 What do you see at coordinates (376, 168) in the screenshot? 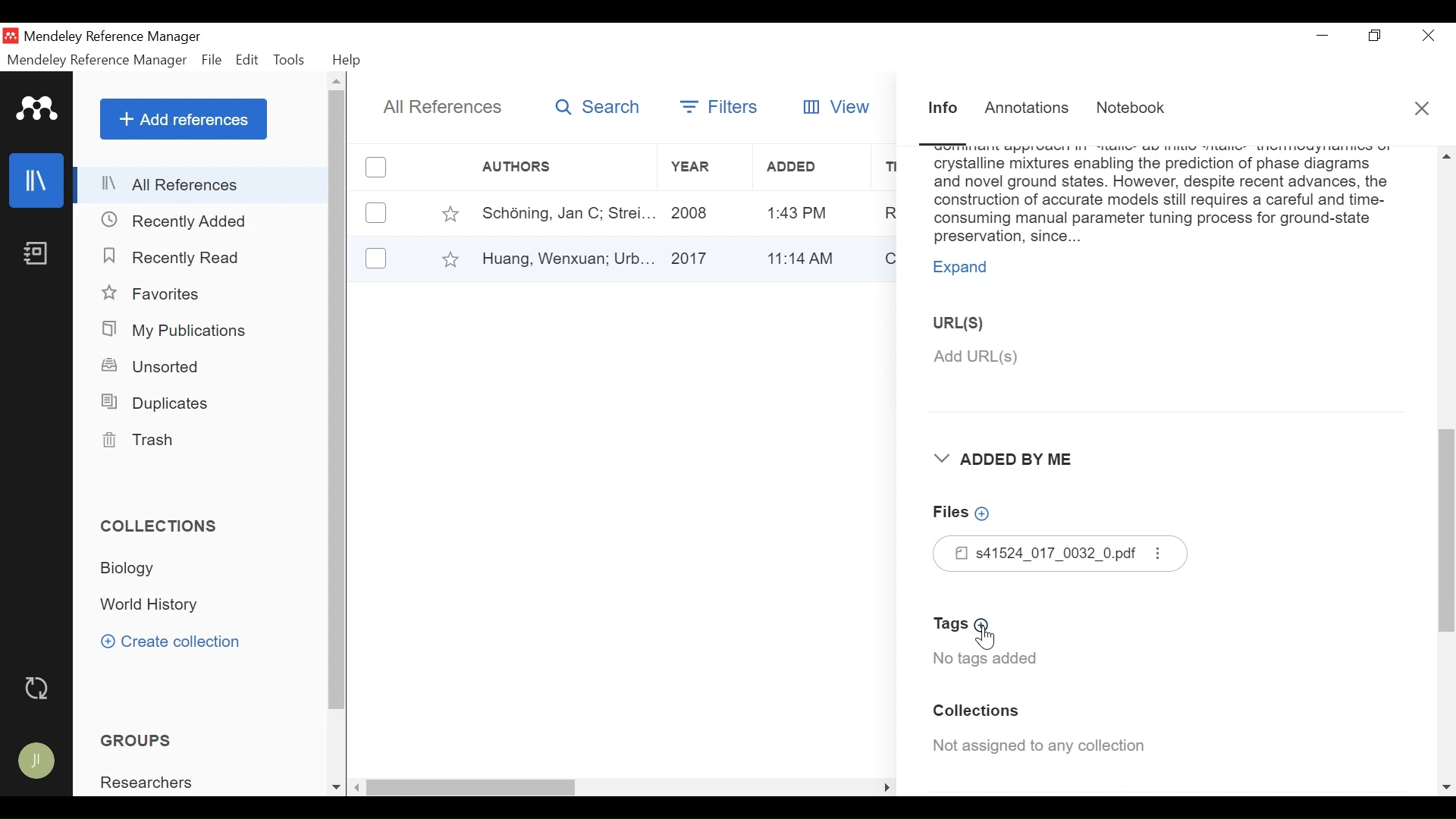
I see `(un)select all` at bounding box center [376, 168].